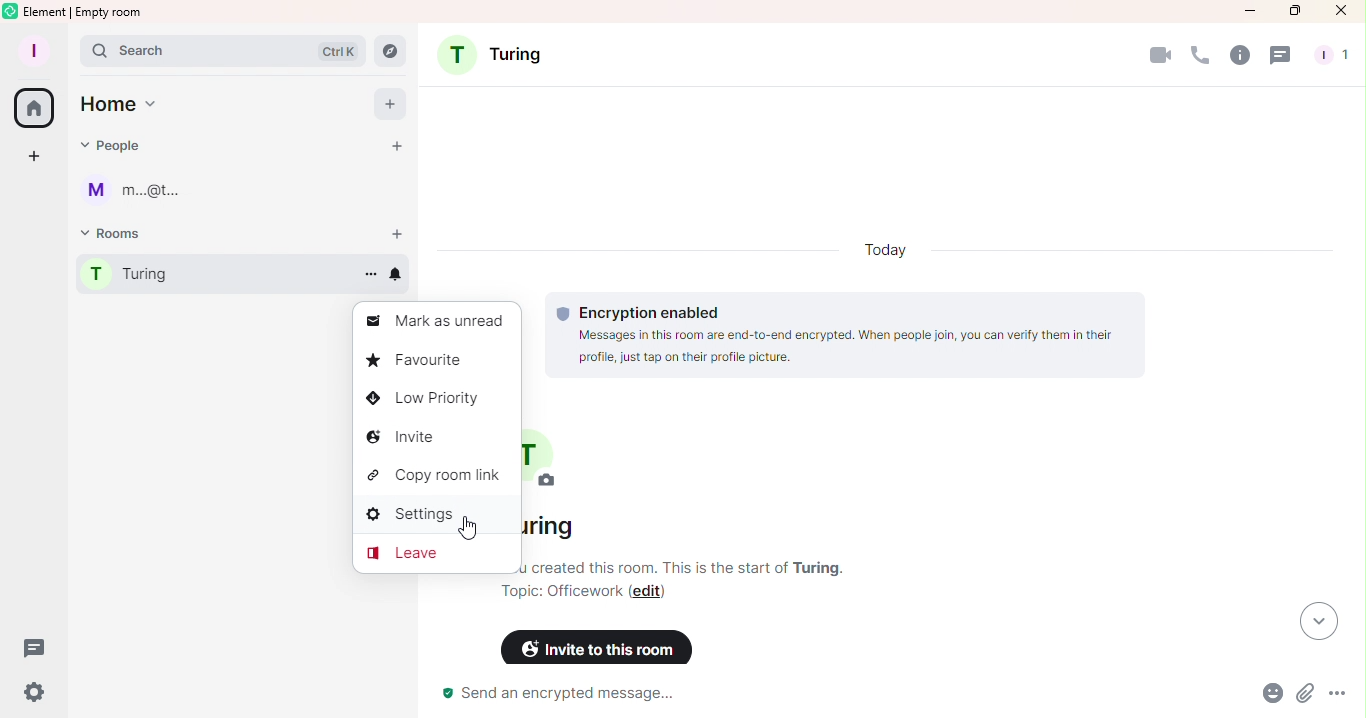 The height and width of the screenshot is (718, 1366). Describe the element at coordinates (193, 278) in the screenshot. I see `Room` at that location.